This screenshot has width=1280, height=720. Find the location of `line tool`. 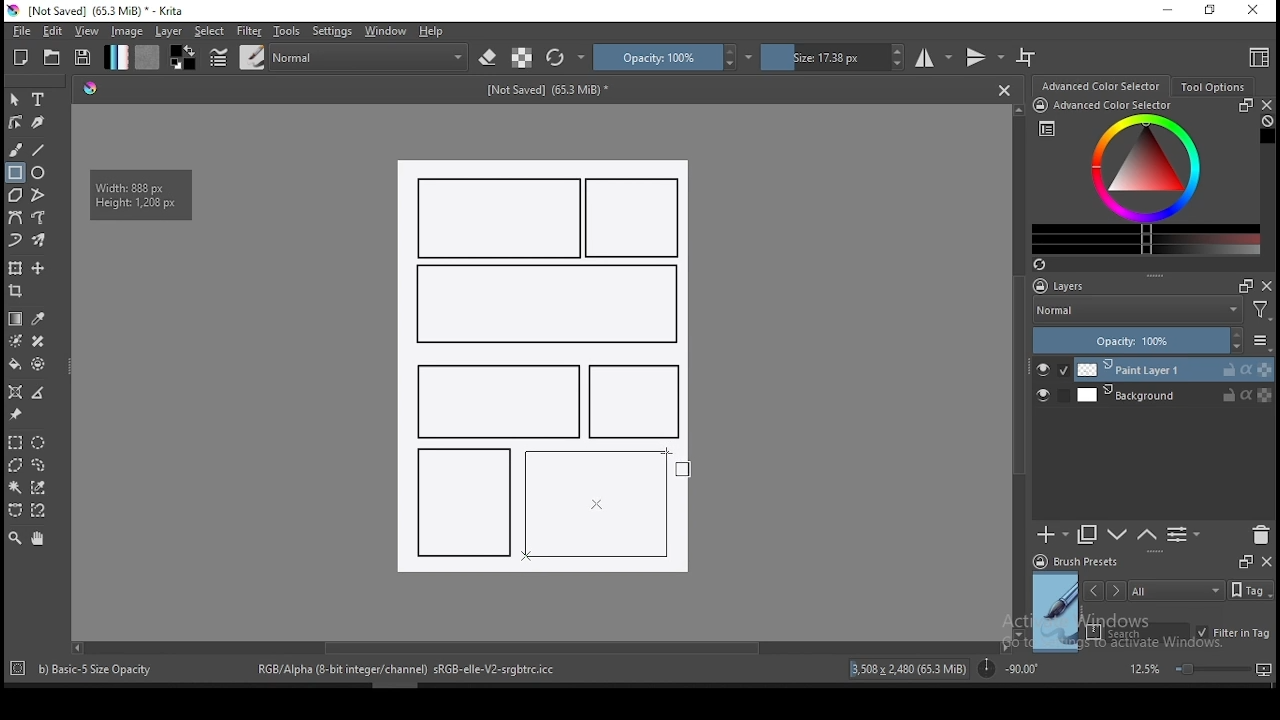

line tool is located at coordinates (39, 150).